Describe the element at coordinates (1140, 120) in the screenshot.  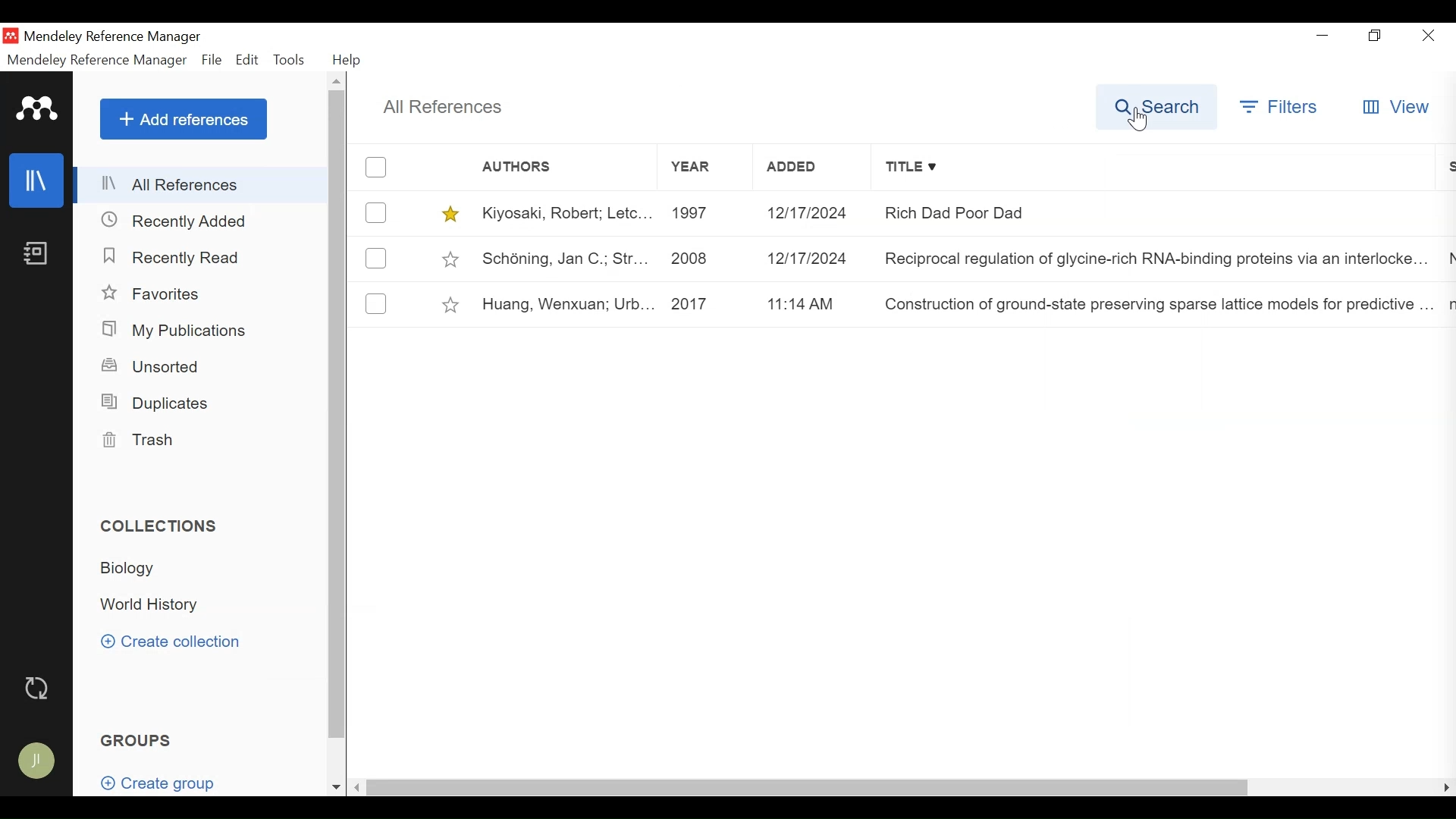
I see `Cursor ` at that location.